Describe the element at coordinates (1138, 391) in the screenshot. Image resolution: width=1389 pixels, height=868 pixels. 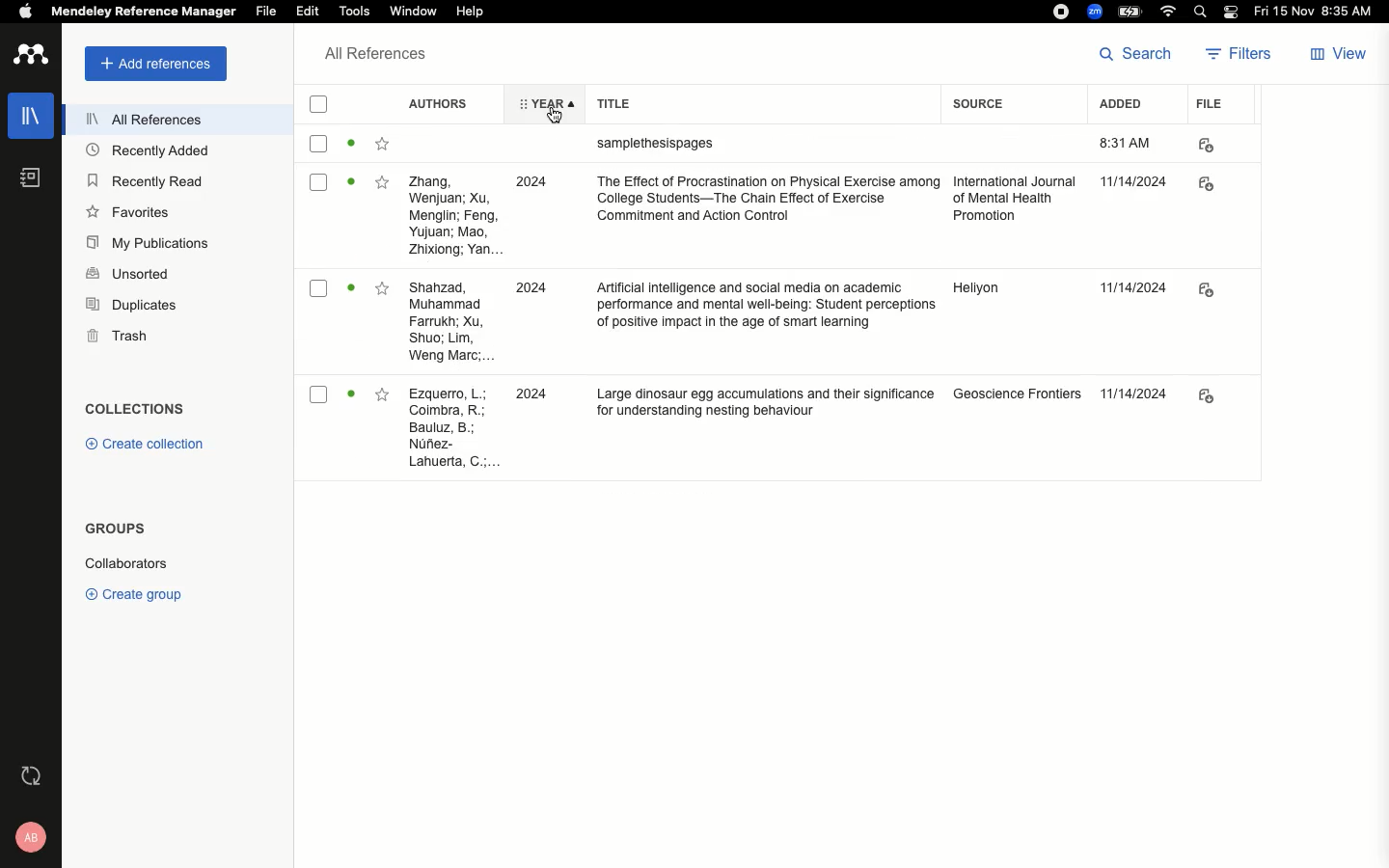
I see `` at that location.